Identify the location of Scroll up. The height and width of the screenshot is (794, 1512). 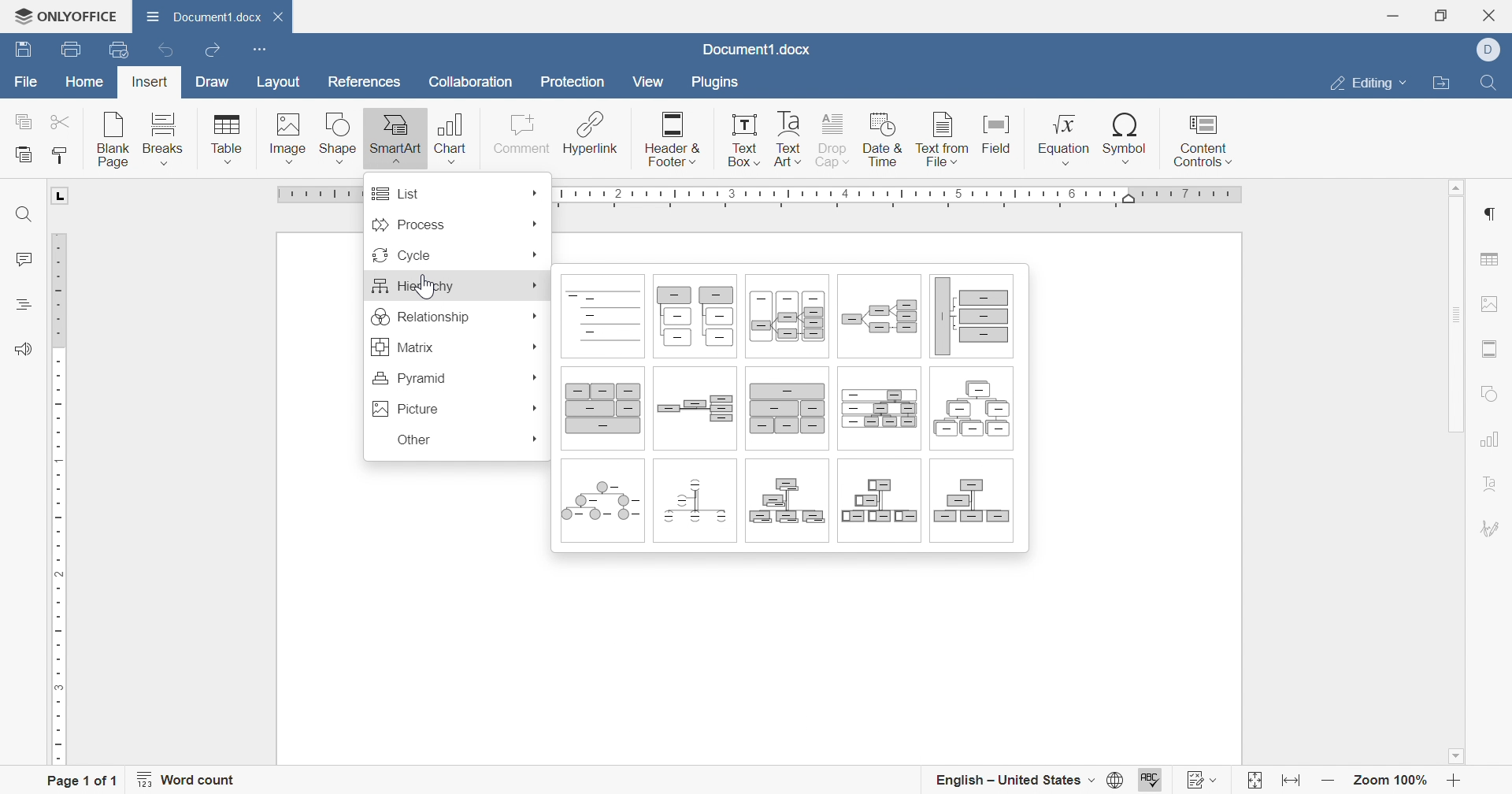
(1458, 185).